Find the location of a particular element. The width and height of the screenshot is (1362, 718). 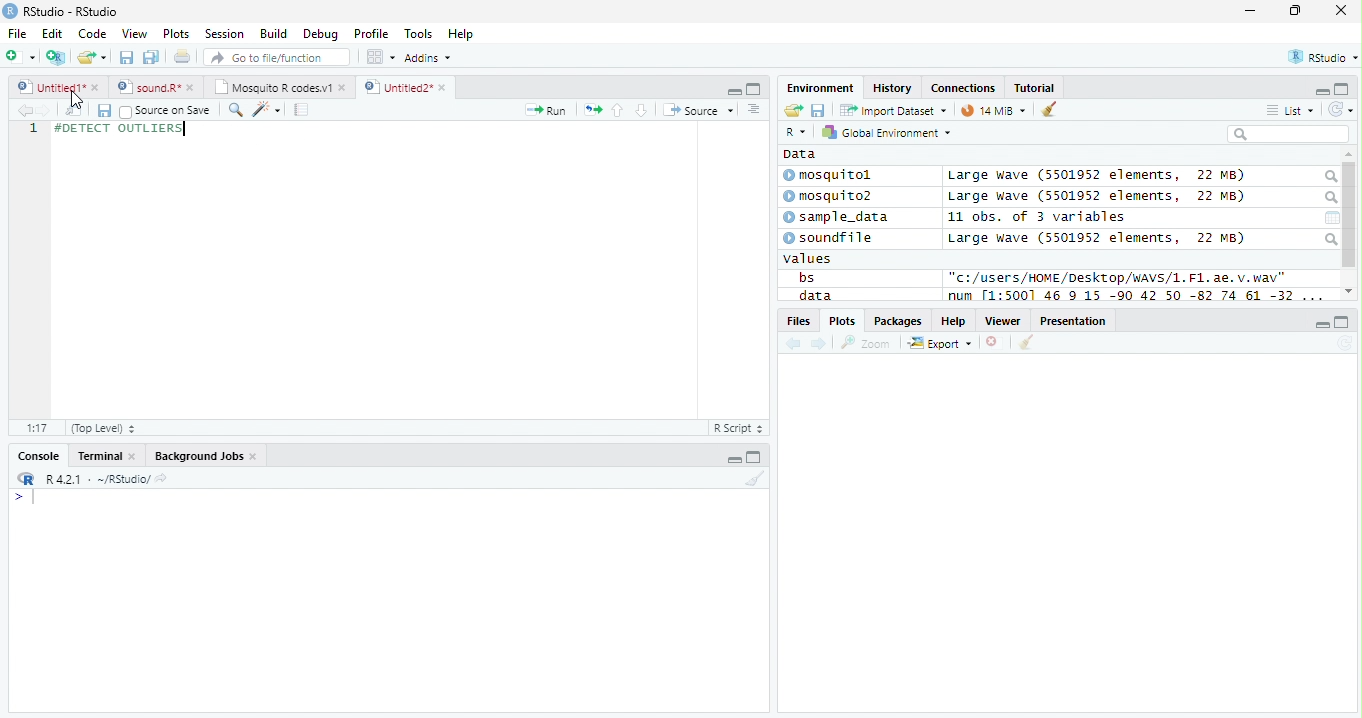

Build is located at coordinates (274, 33).